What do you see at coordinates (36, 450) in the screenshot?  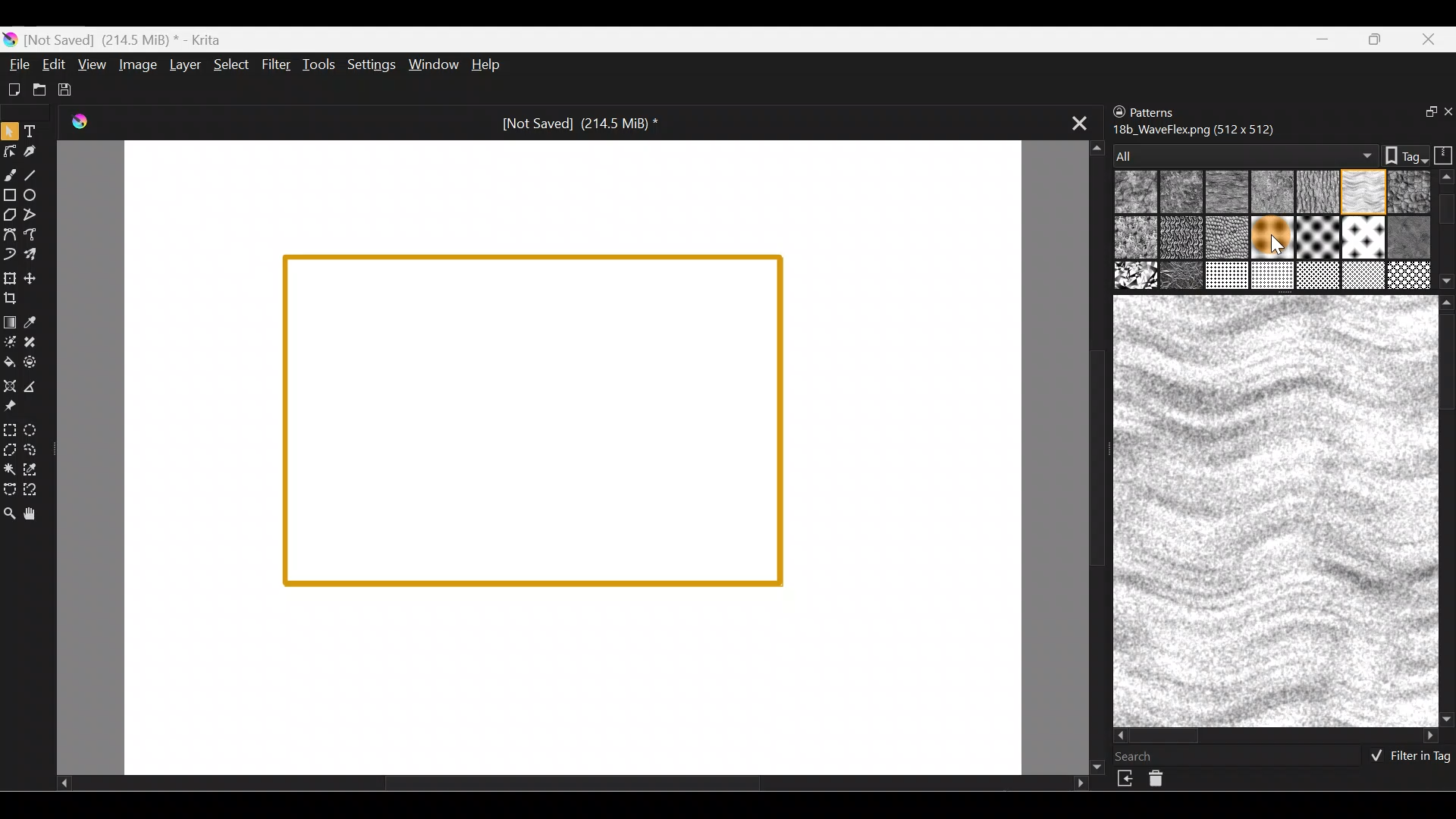 I see `Freehand selection tool` at bounding box center [36, 450].